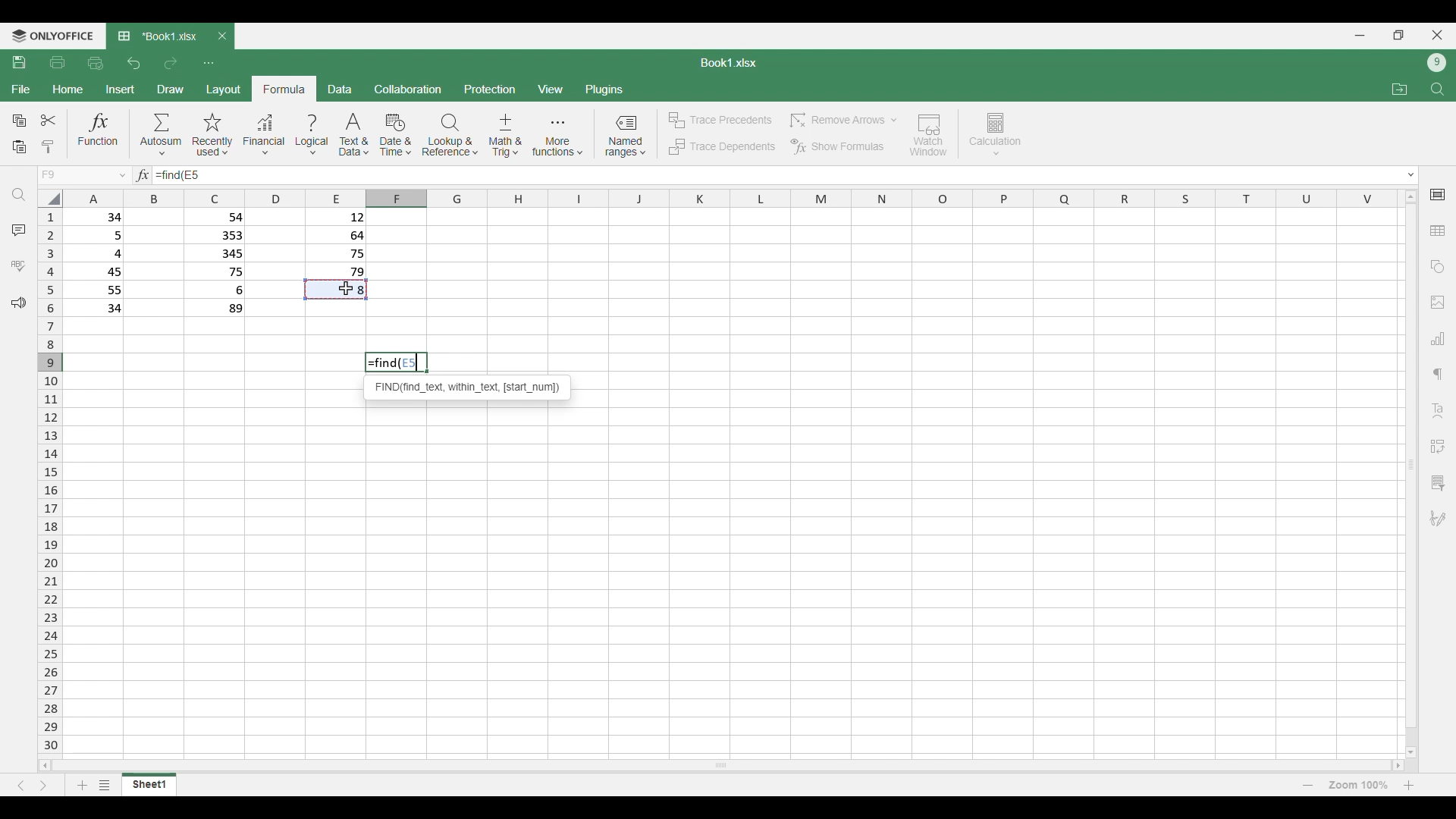 The width and height of the screenshot is (1456, 819). I want to click on More functions, so click(557, 136).